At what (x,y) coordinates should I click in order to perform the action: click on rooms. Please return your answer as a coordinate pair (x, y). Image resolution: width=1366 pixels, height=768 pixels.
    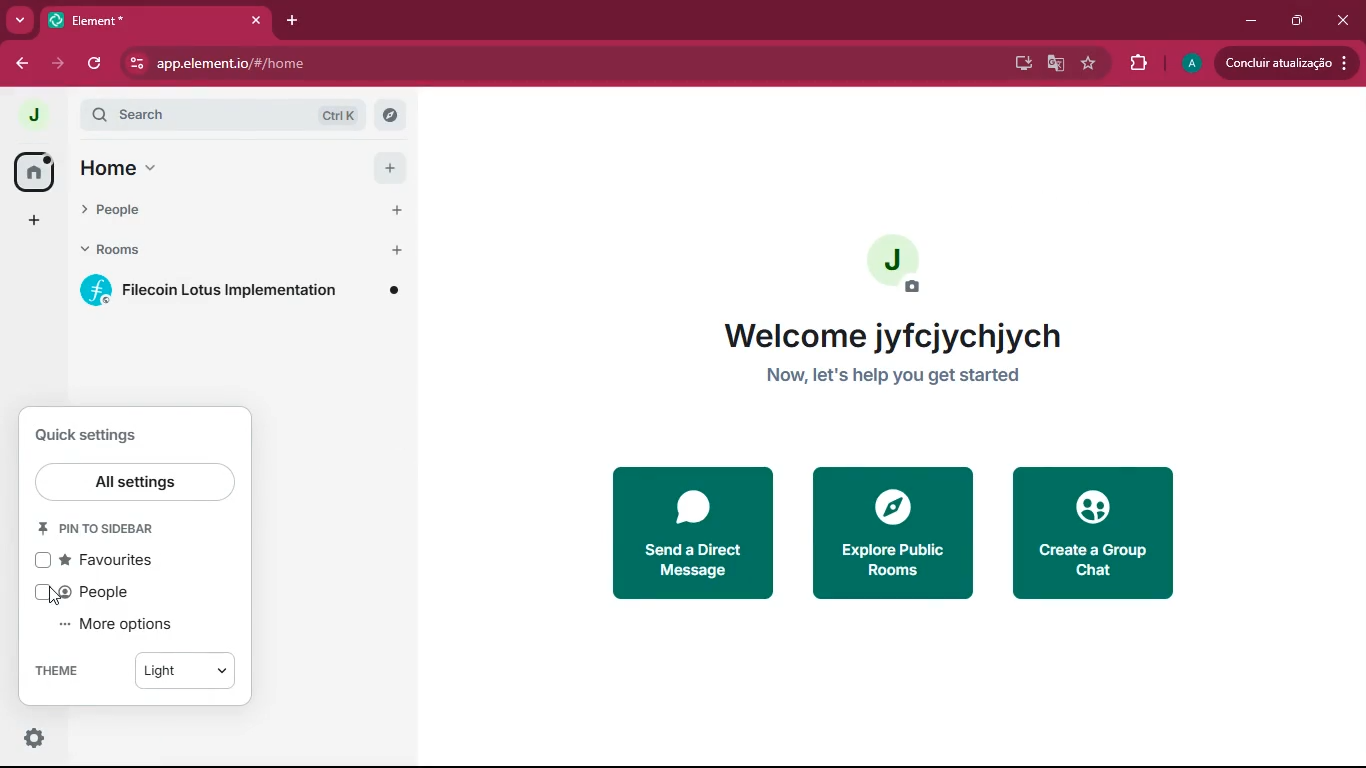
    Looking at the image, I should click on (214, 247).